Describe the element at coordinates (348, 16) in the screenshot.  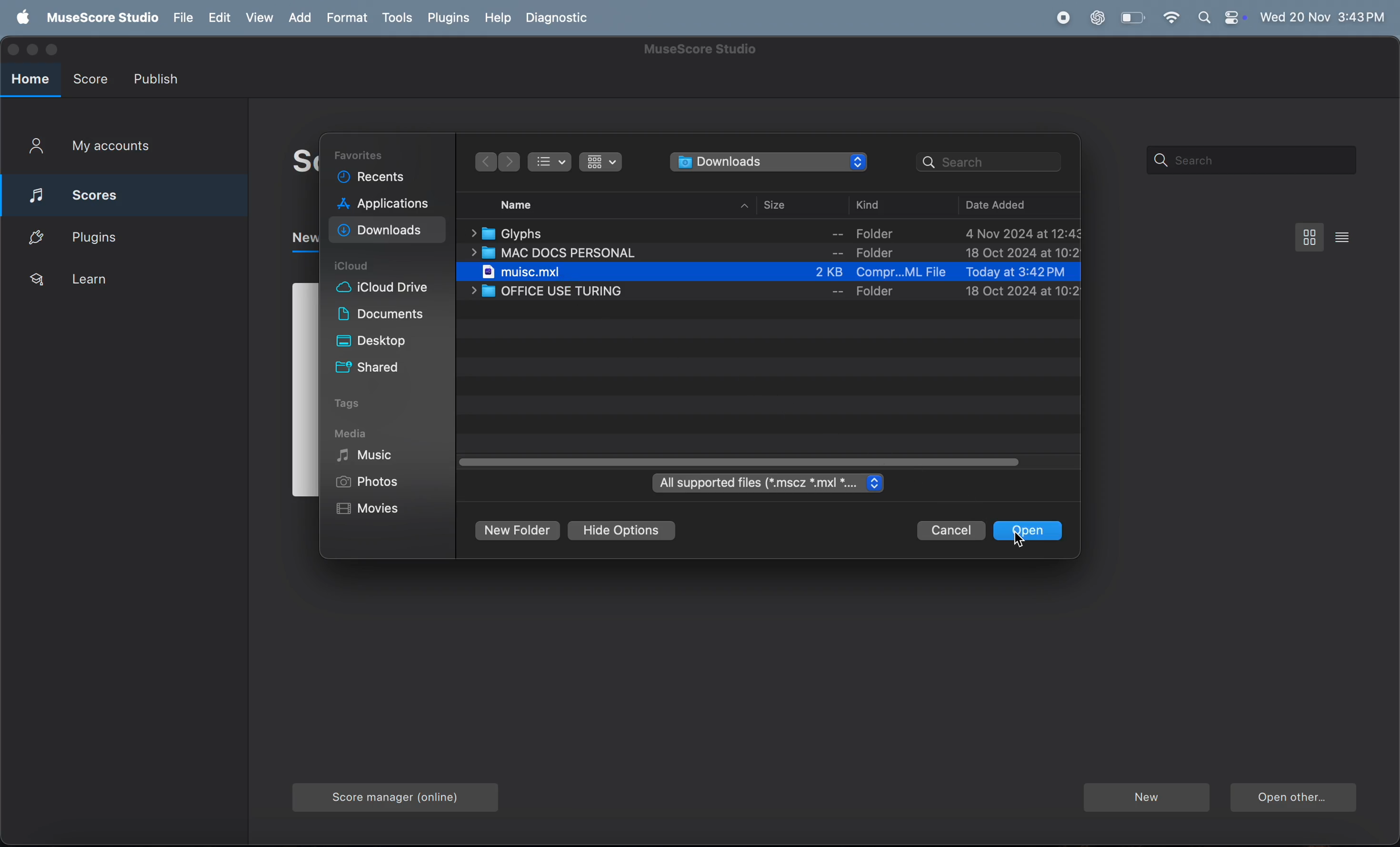
I see `format` at that location.